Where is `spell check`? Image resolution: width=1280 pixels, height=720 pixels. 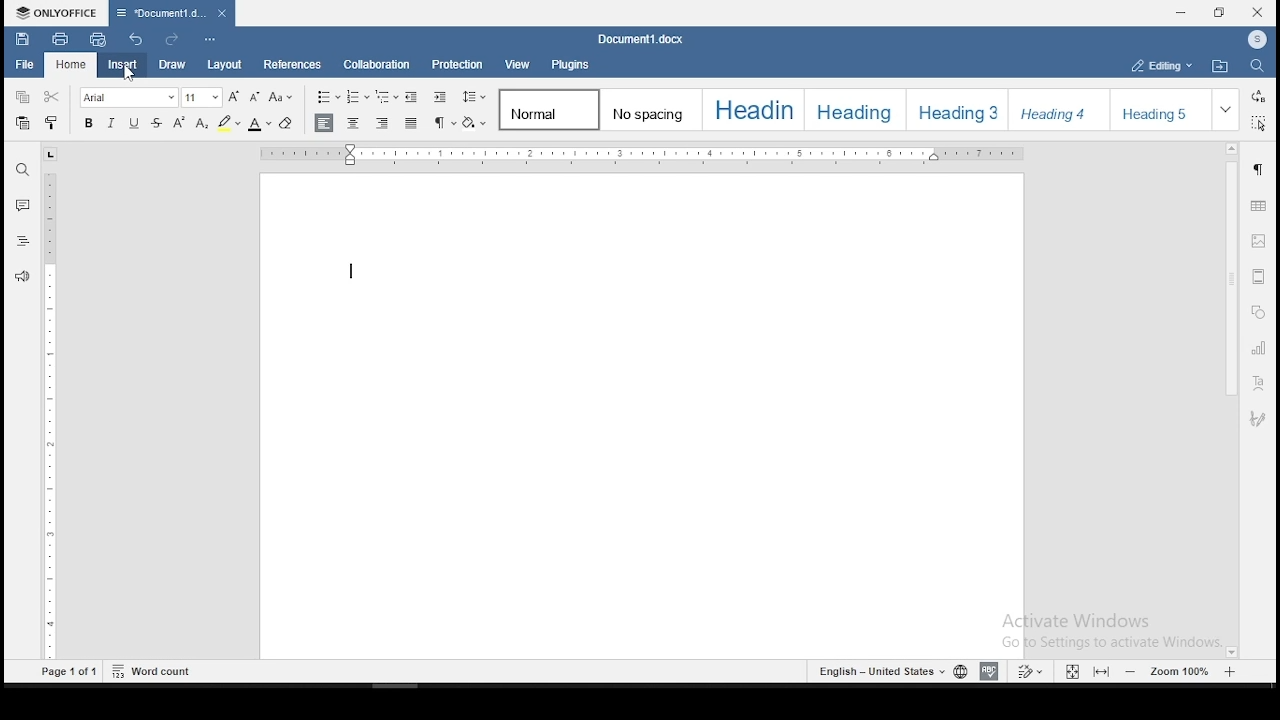
spell check is located at coordinates (989, 672).